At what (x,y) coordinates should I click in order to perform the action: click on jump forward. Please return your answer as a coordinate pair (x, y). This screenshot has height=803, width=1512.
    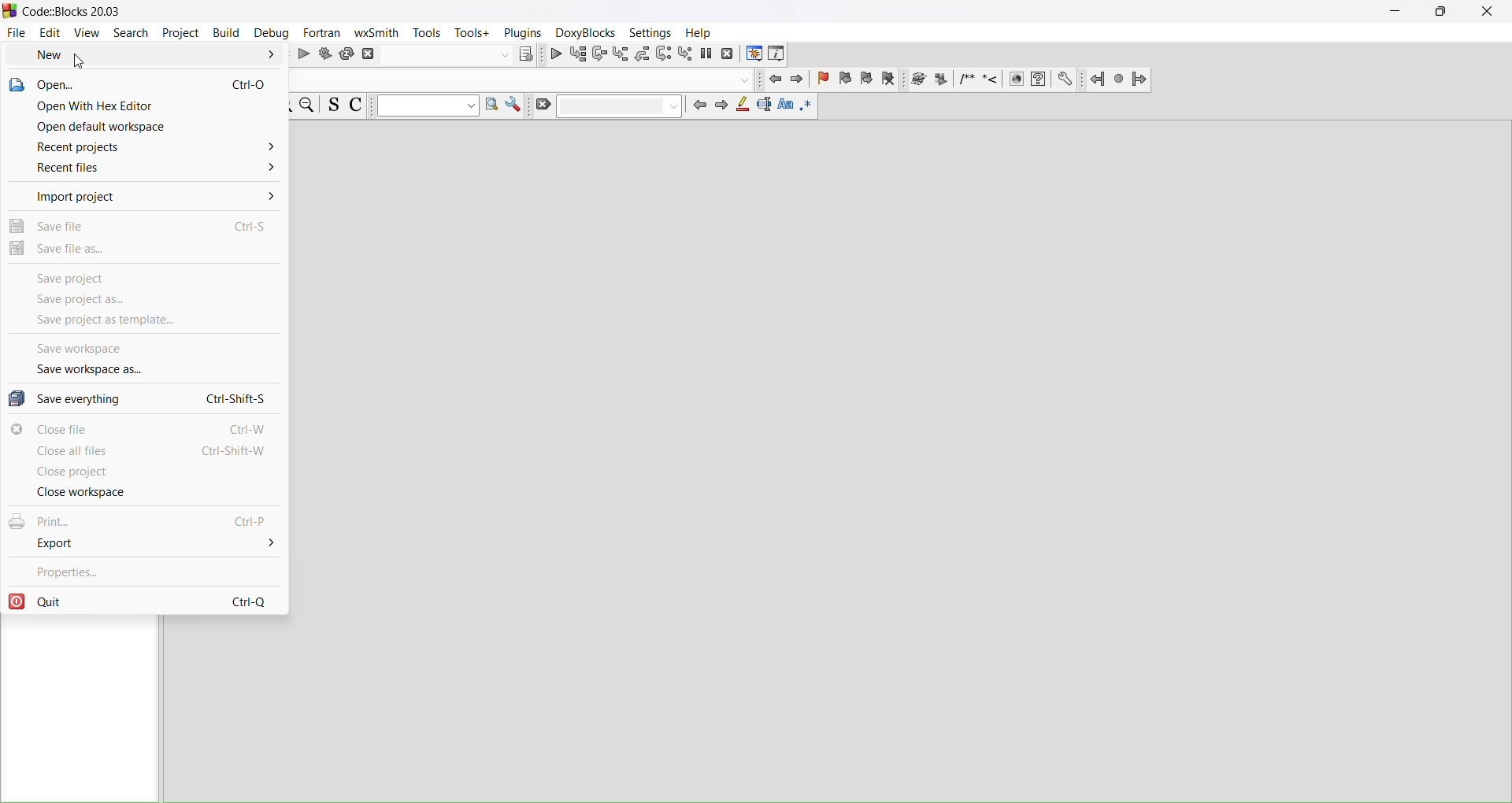
    Looking at the image, I should click on (799, 77).